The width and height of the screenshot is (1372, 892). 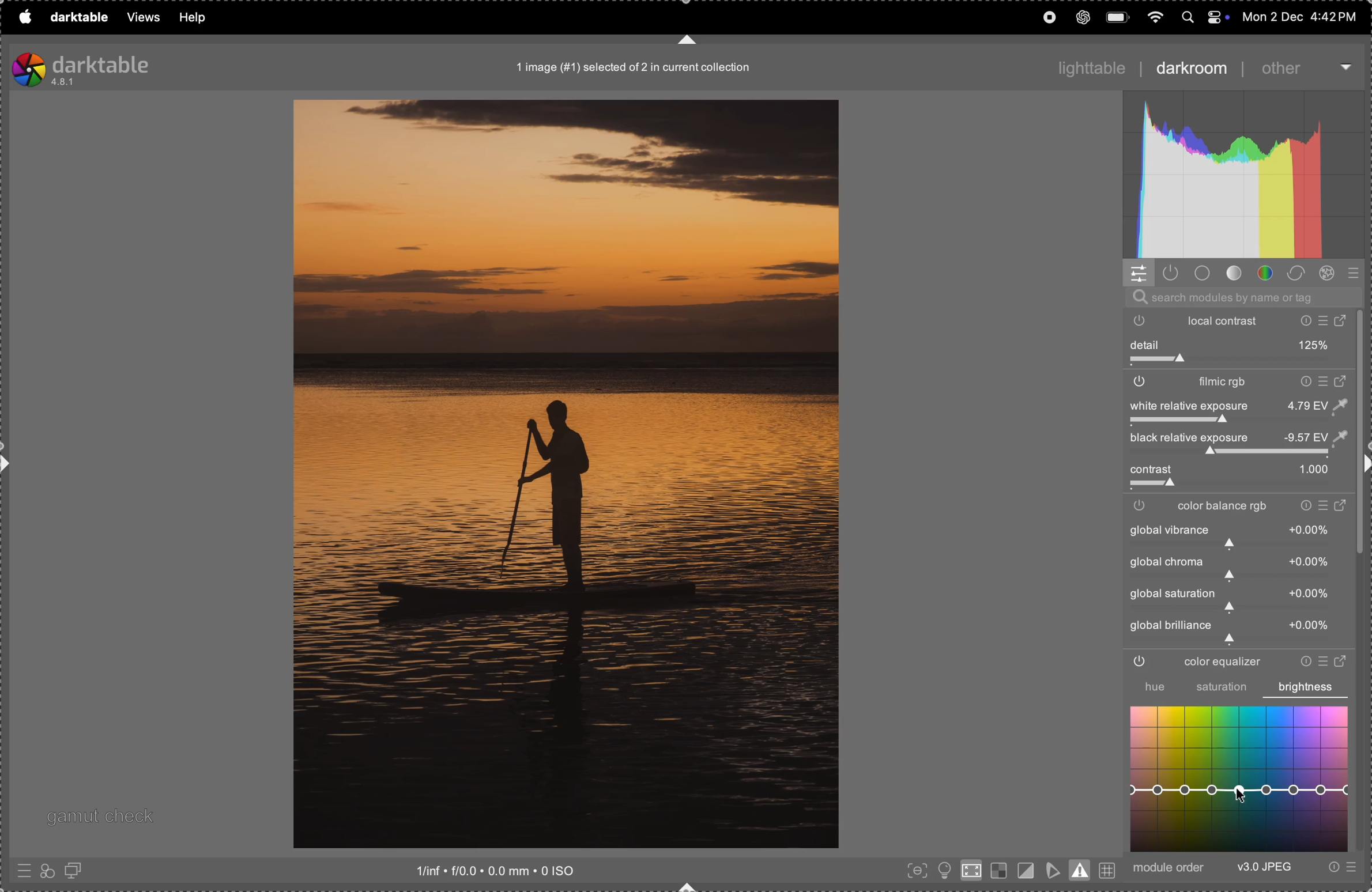 What do you see at coordinates (513, 872) in the screenshot?
I see `iso standard` at bounding box center [513, 872].